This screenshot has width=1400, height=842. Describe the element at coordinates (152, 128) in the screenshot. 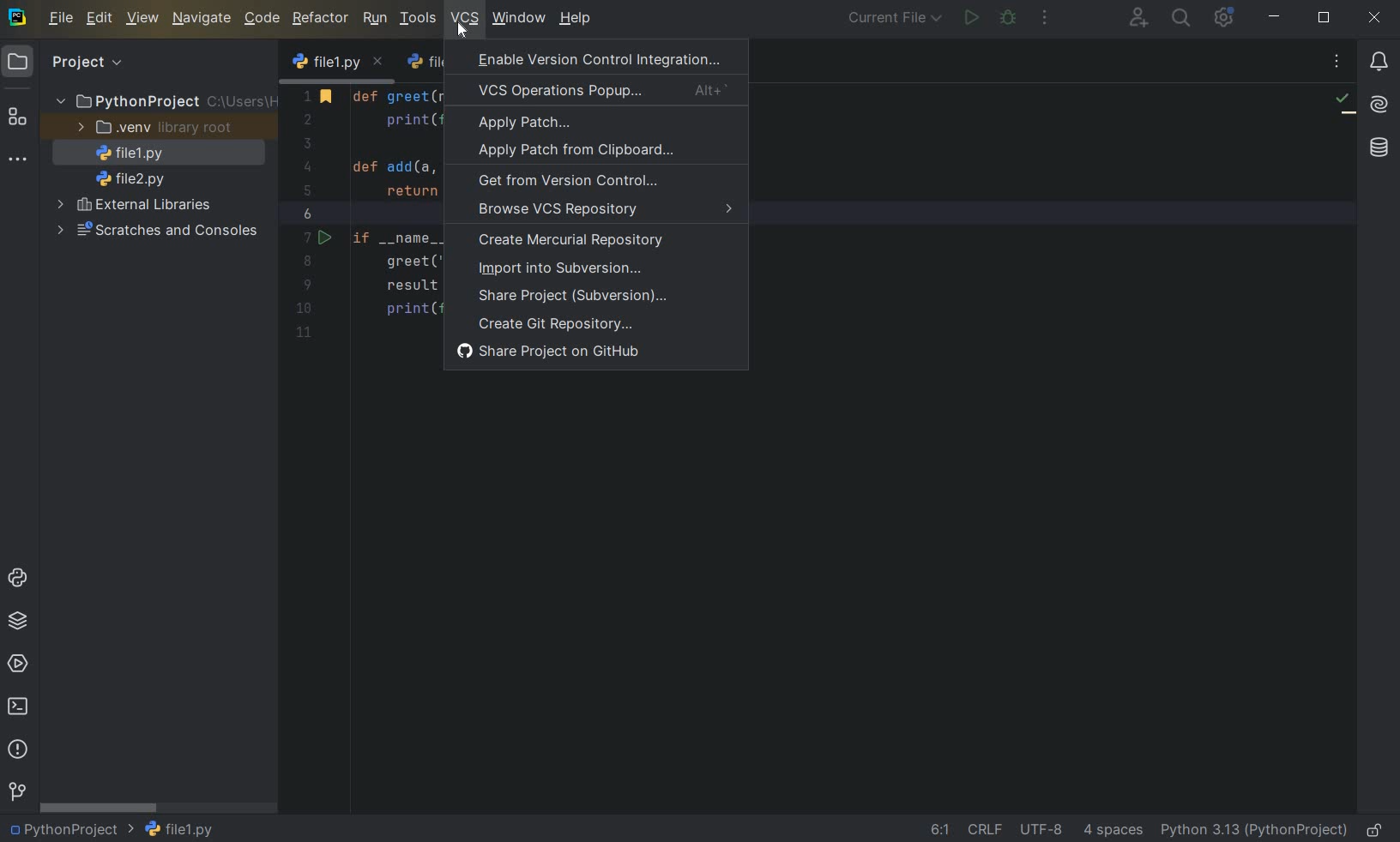

I see `.venv` at that location.